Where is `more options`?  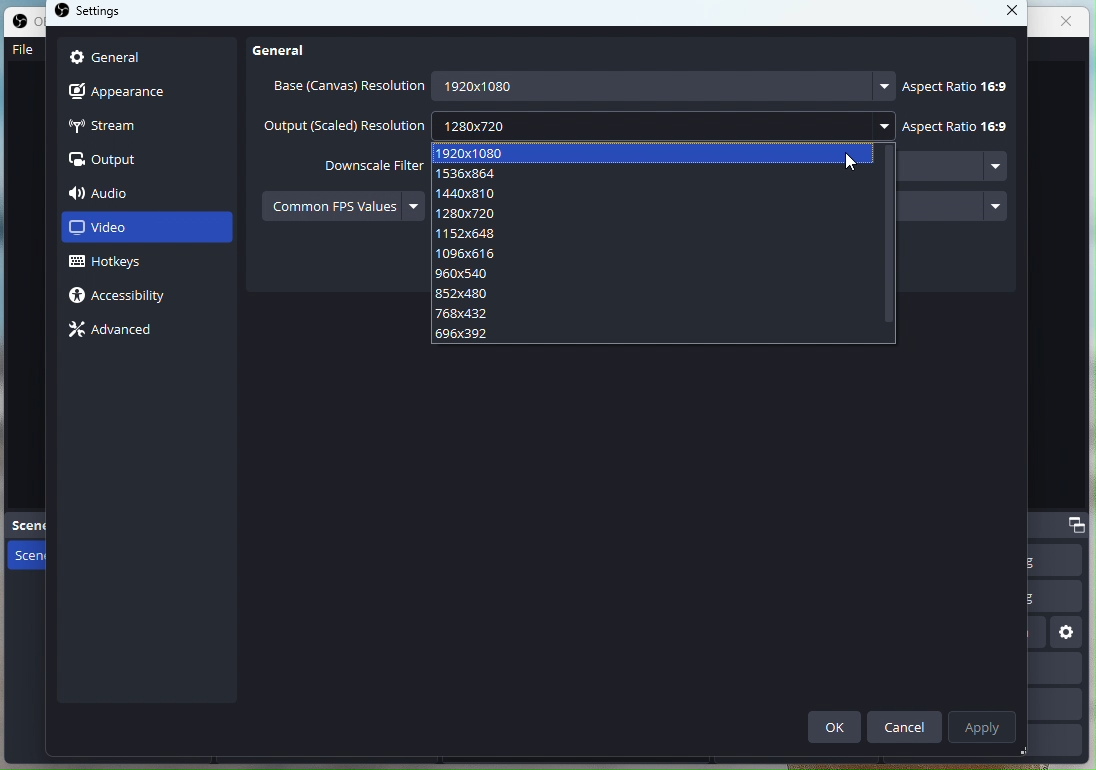 more options is located at coordinates (412, 205).